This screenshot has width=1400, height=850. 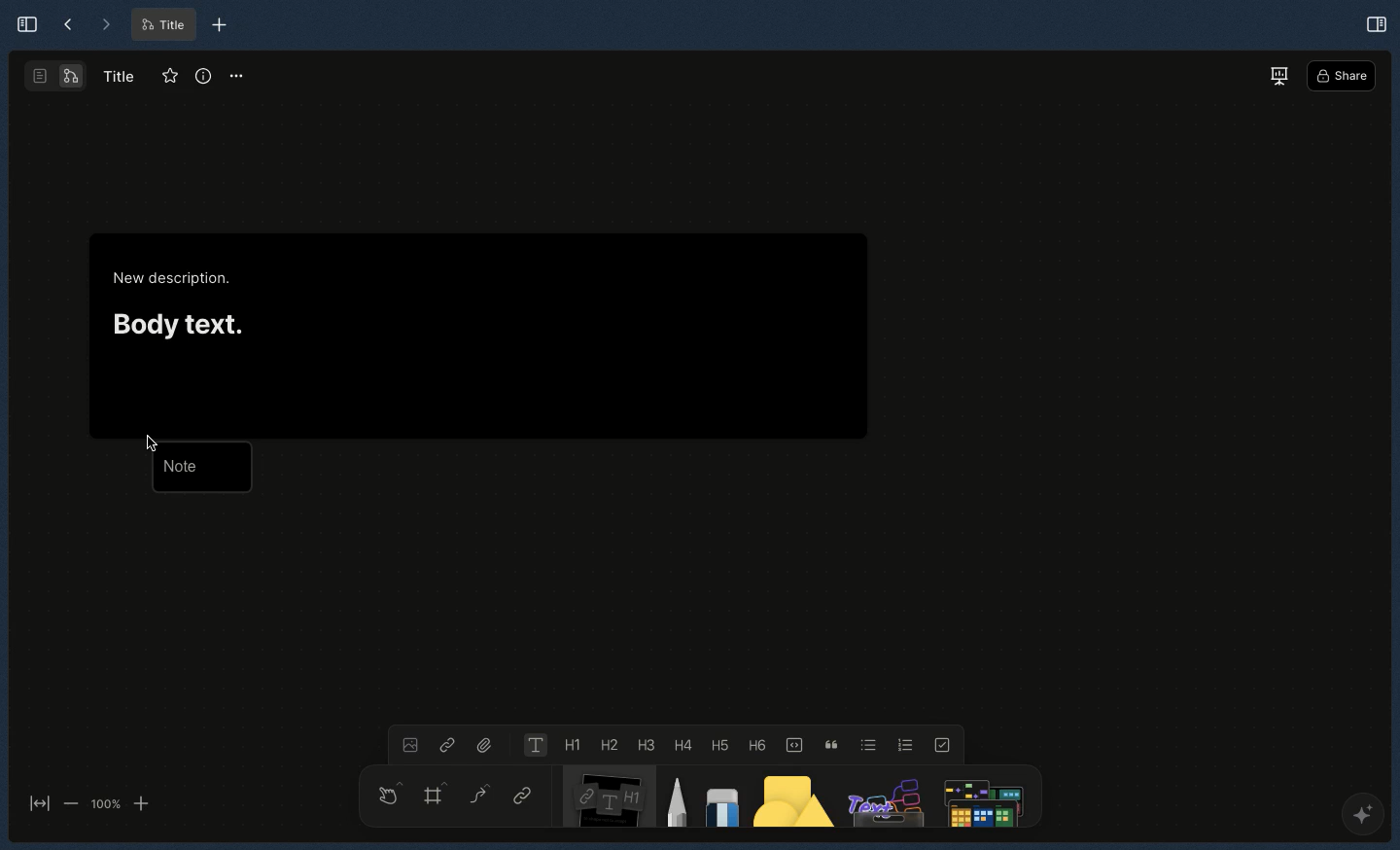 What do you see at coordinates (486, 743) in the screenshot?
I see `File` at bounding box center [486, 743].